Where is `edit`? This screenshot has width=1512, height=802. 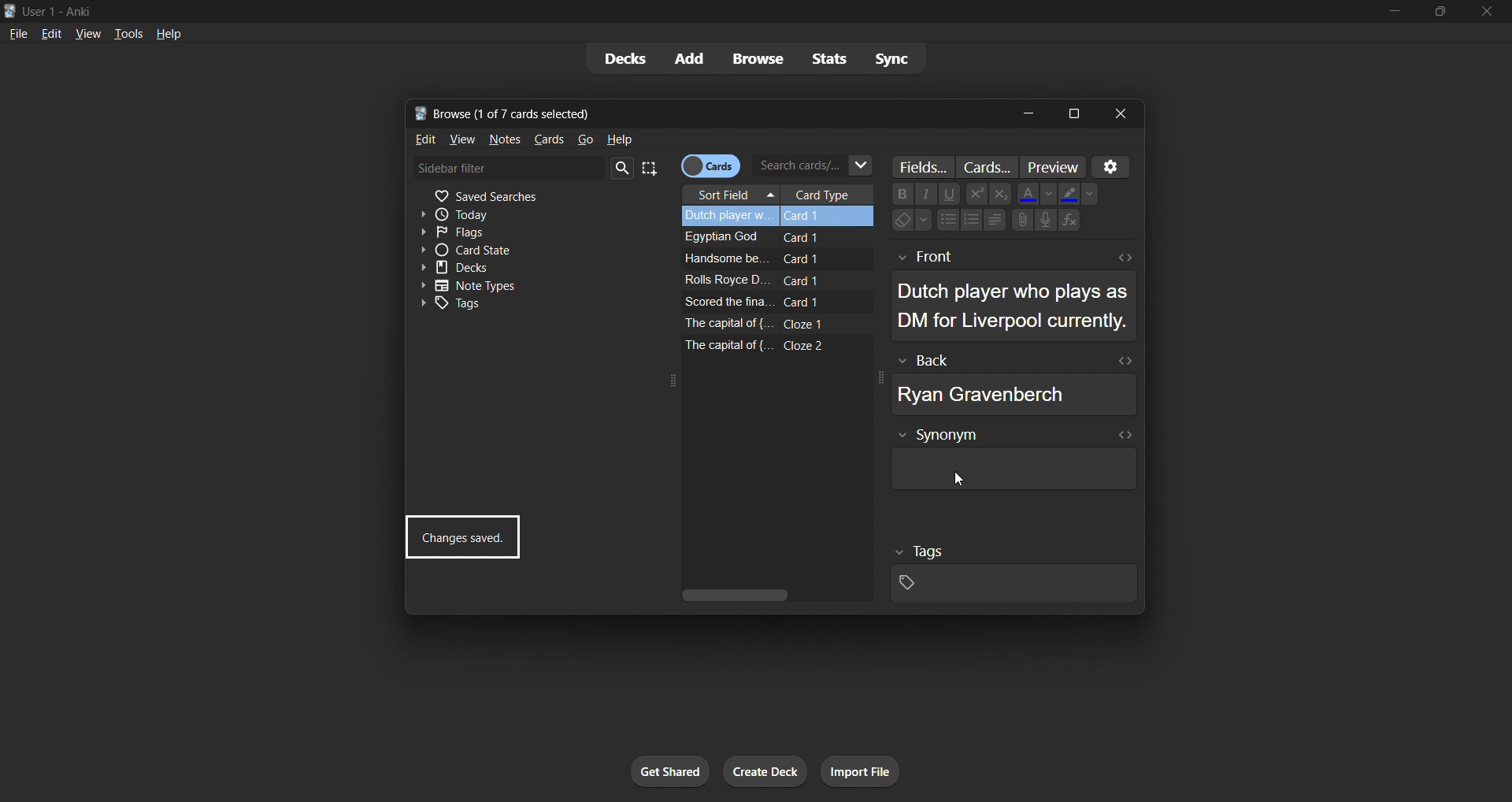
edit is located at coordinates (426, 139).